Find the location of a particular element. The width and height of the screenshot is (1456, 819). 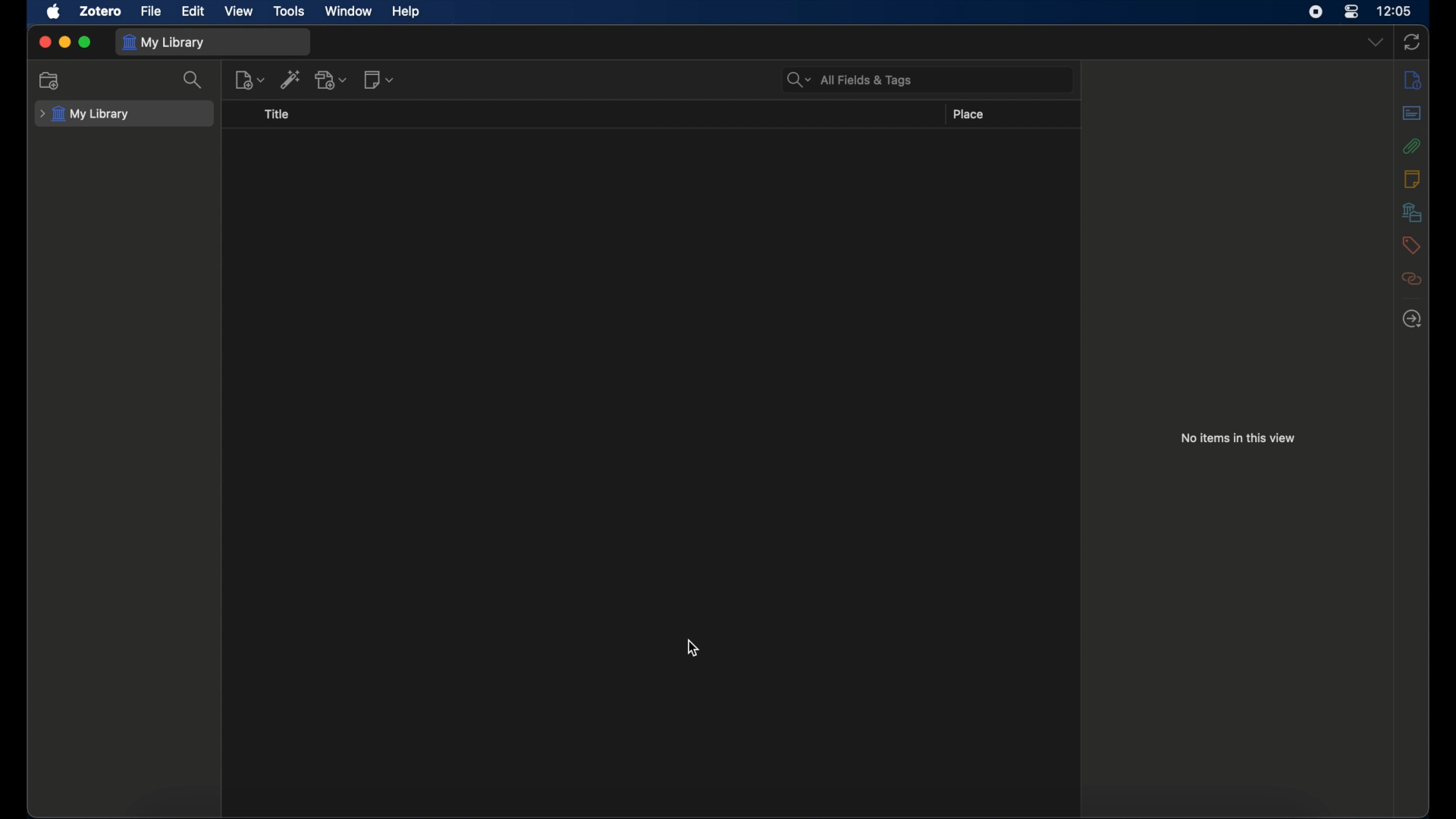

apple is located at coordinates (55, 11).